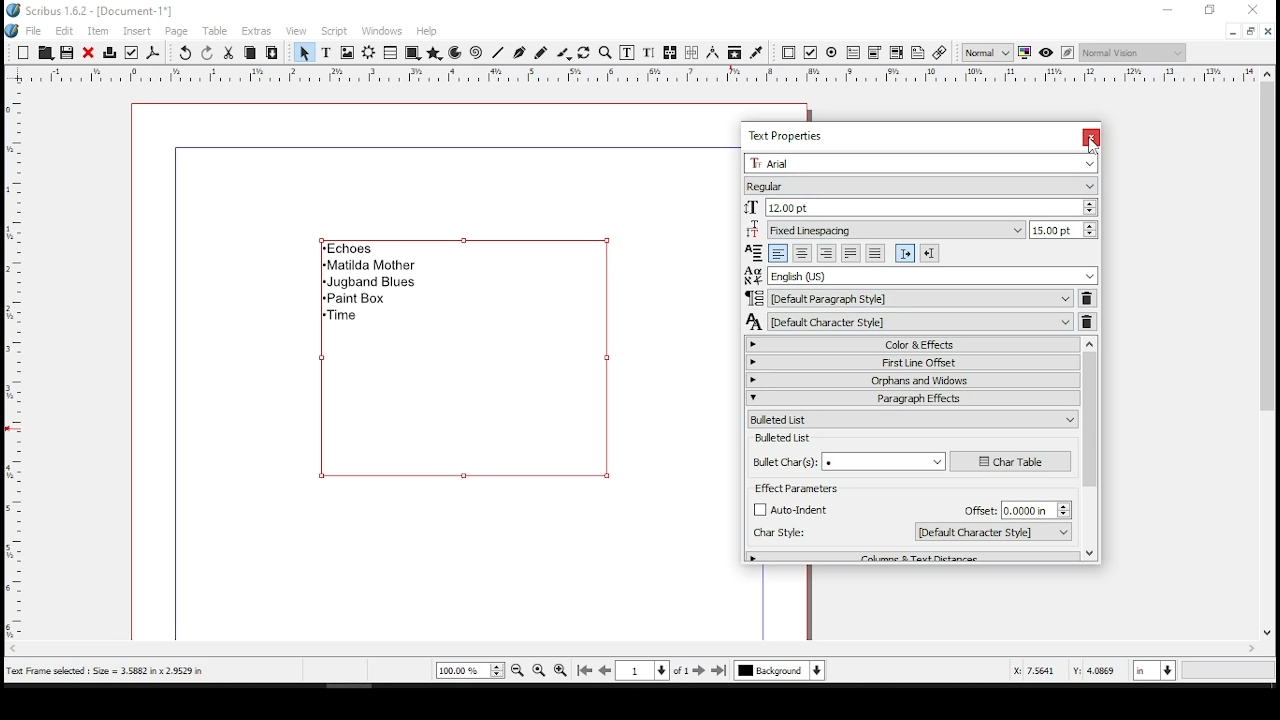 Image resolution: width=1280 pixels, height=720 pixels. Describe the element at coordinates (650, 73) in the screenshot. I see `horizontal scale` at that location.